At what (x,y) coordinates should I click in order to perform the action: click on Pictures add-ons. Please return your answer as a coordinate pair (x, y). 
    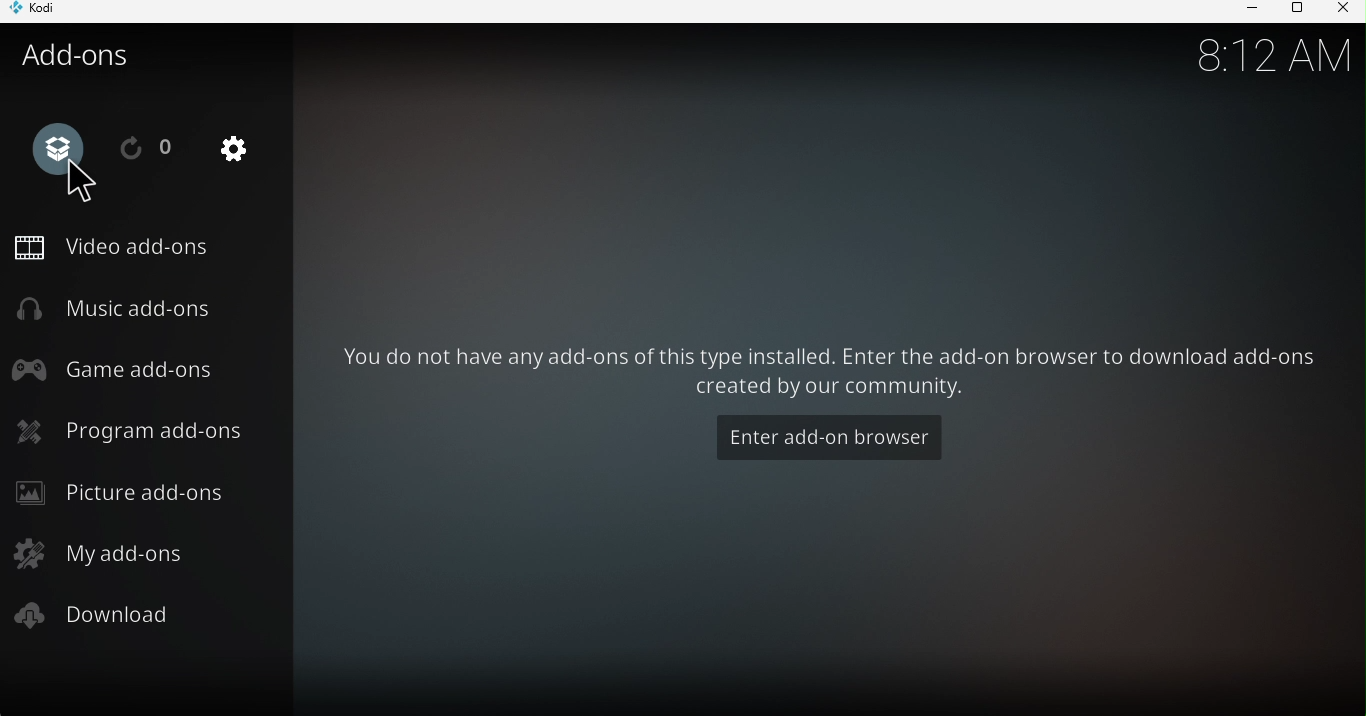
    Looking at the image, I should click on (125, 490).